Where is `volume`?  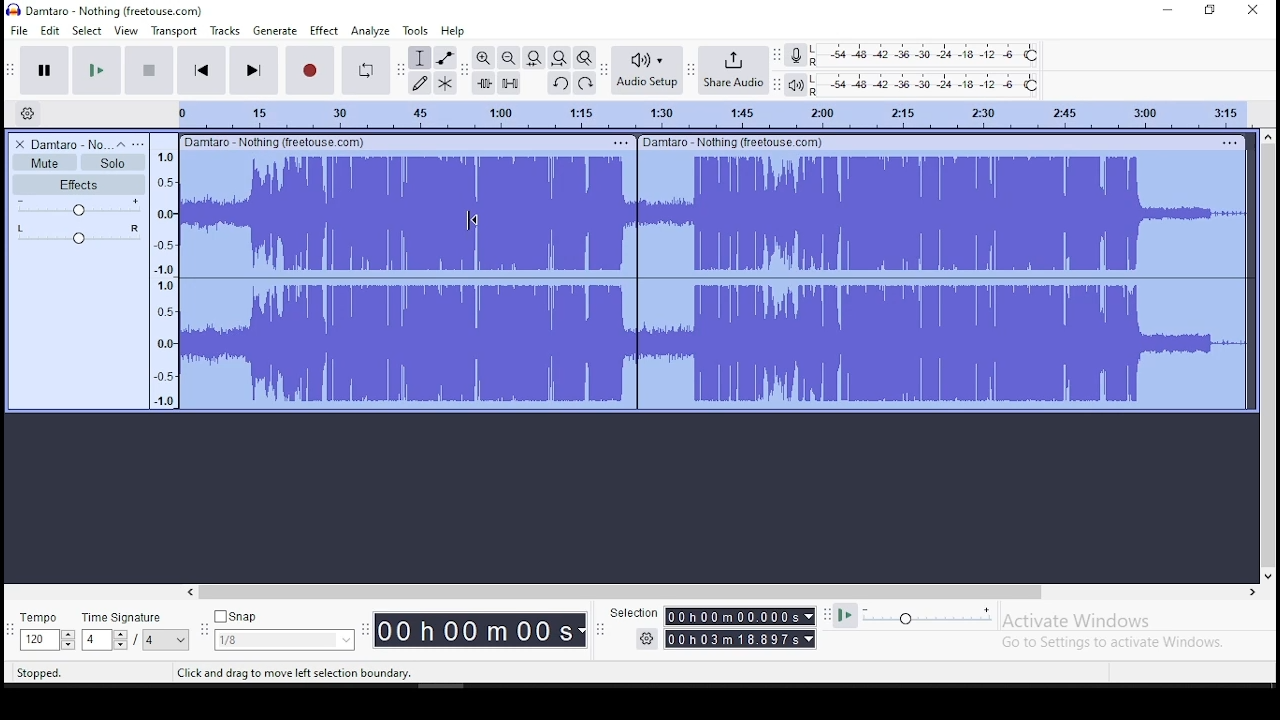
volume is located at coordinates (79, 209).